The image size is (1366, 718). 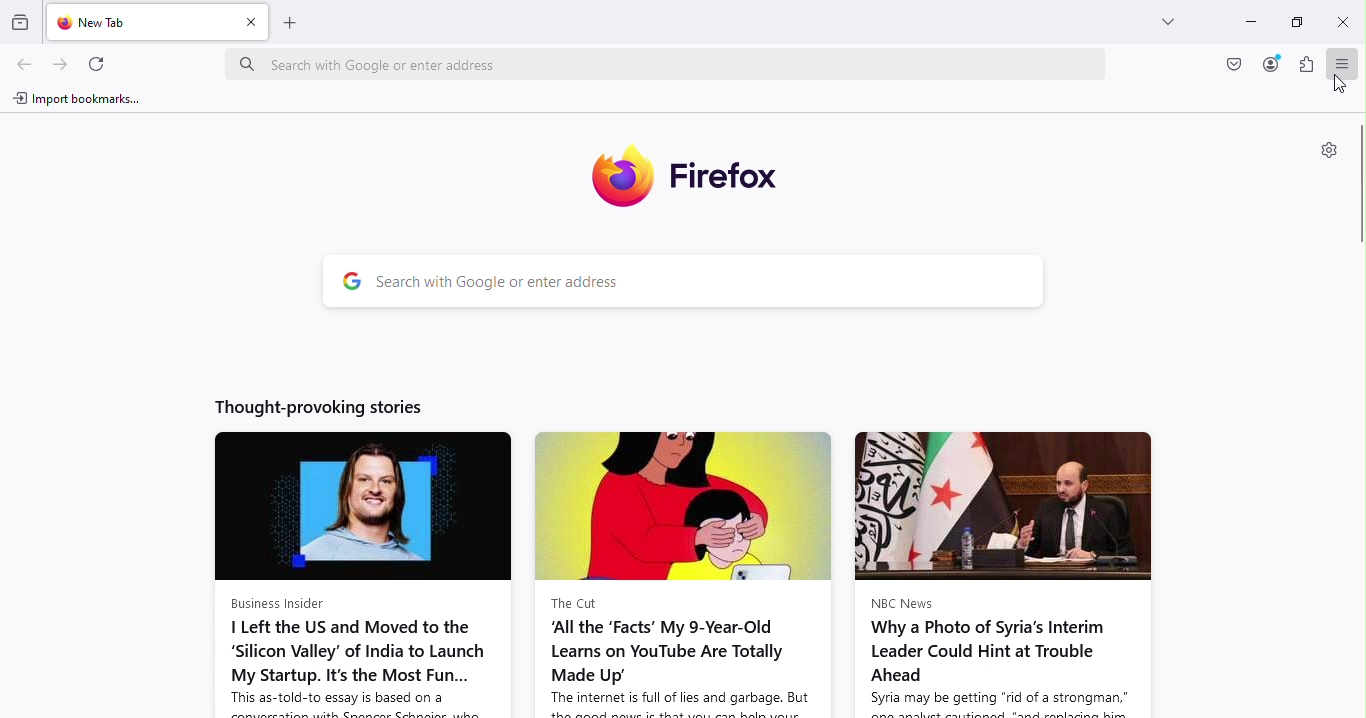 What do you see at coordinates (318, 409) in the screenshot?
I see `Thought-provoking stories` at bounding box center [318, 409].